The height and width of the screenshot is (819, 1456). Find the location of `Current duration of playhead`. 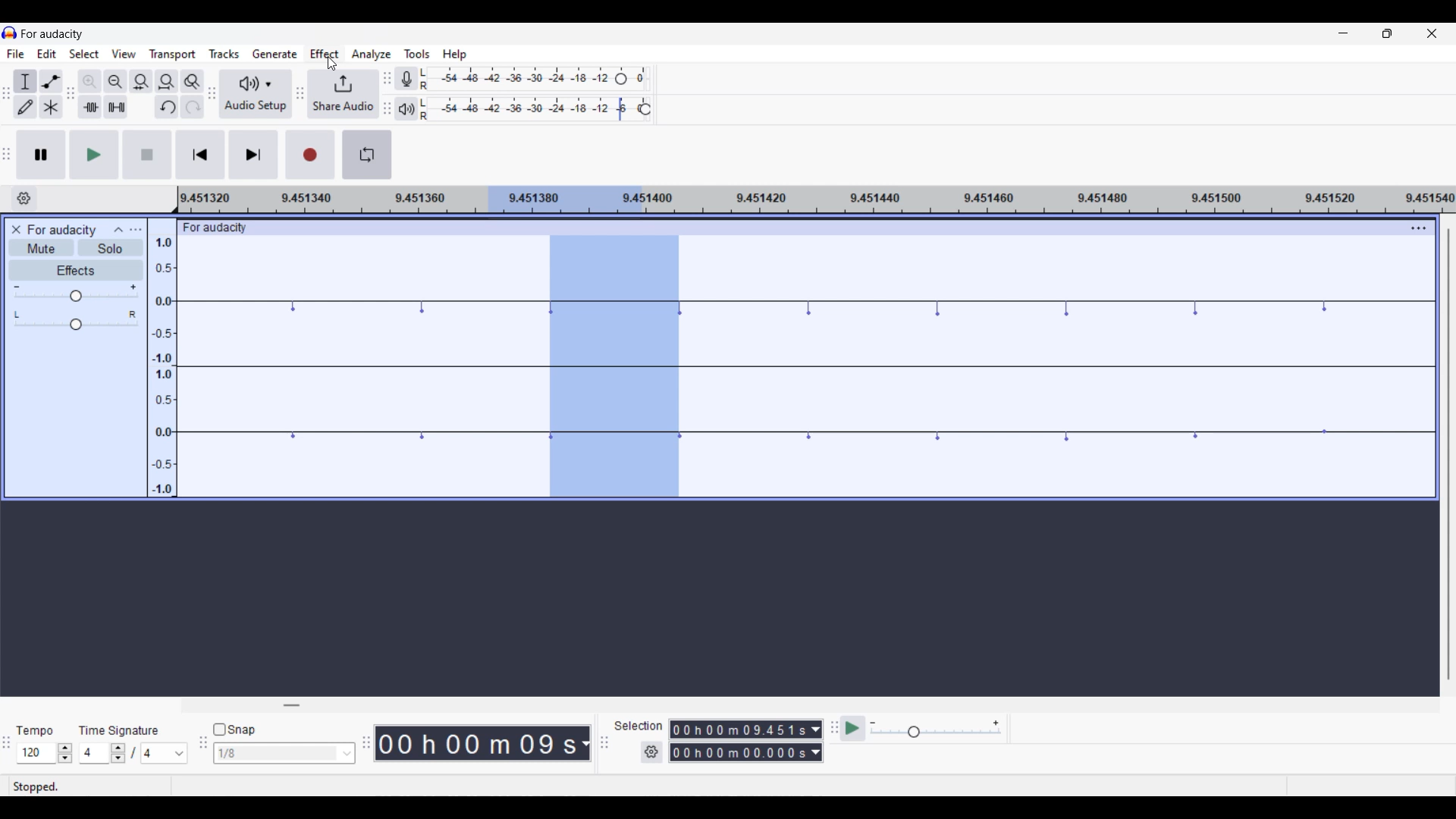

Current duration of playhead is located at coordinates (475, 743).